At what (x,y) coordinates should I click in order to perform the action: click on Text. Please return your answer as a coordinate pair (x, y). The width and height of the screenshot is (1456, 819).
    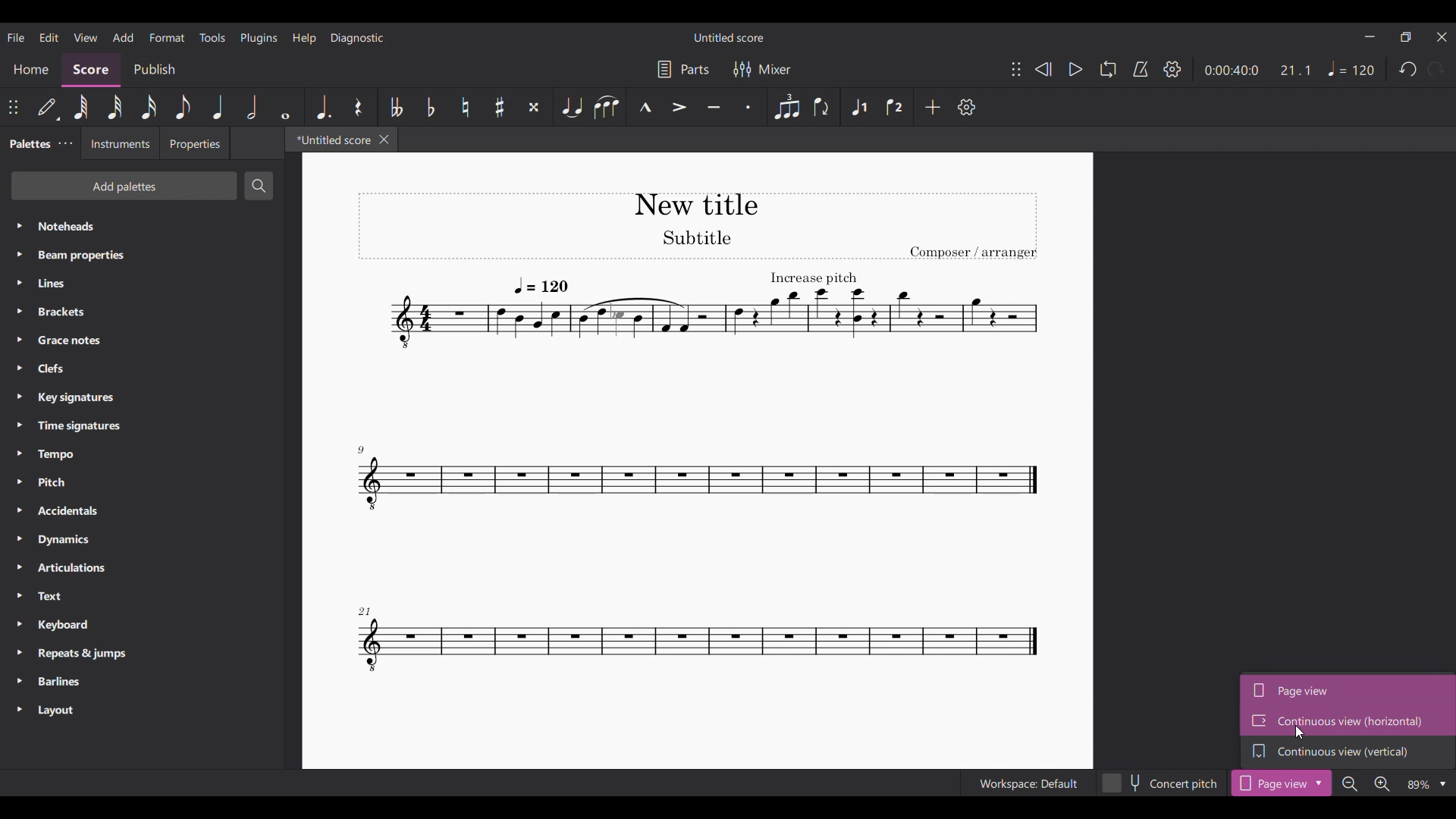
    Looking at the image, I should click on (141, 596).